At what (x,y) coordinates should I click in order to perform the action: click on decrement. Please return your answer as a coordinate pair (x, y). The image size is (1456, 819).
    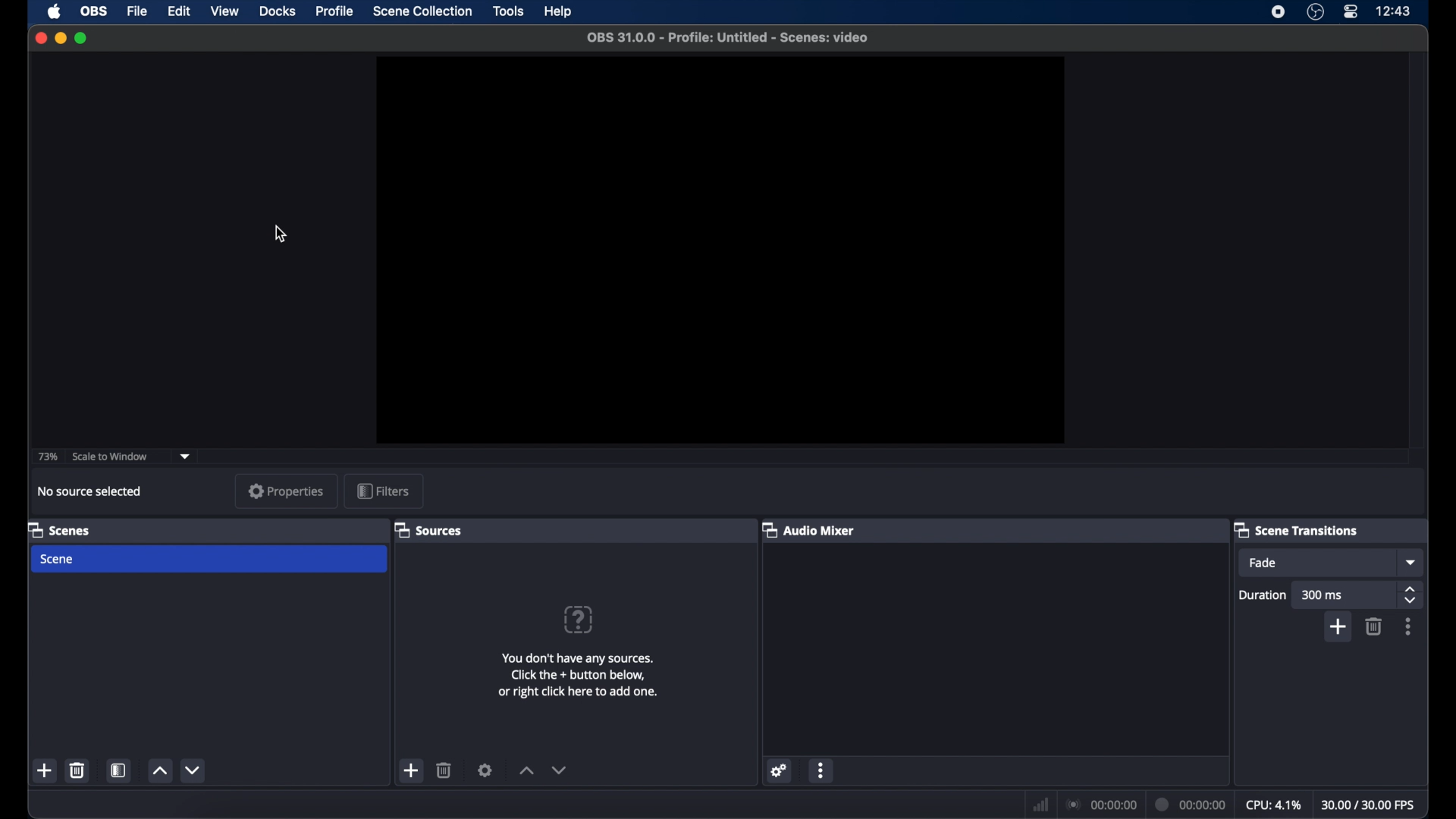
    Looking at the image, I should click on (564, 770).